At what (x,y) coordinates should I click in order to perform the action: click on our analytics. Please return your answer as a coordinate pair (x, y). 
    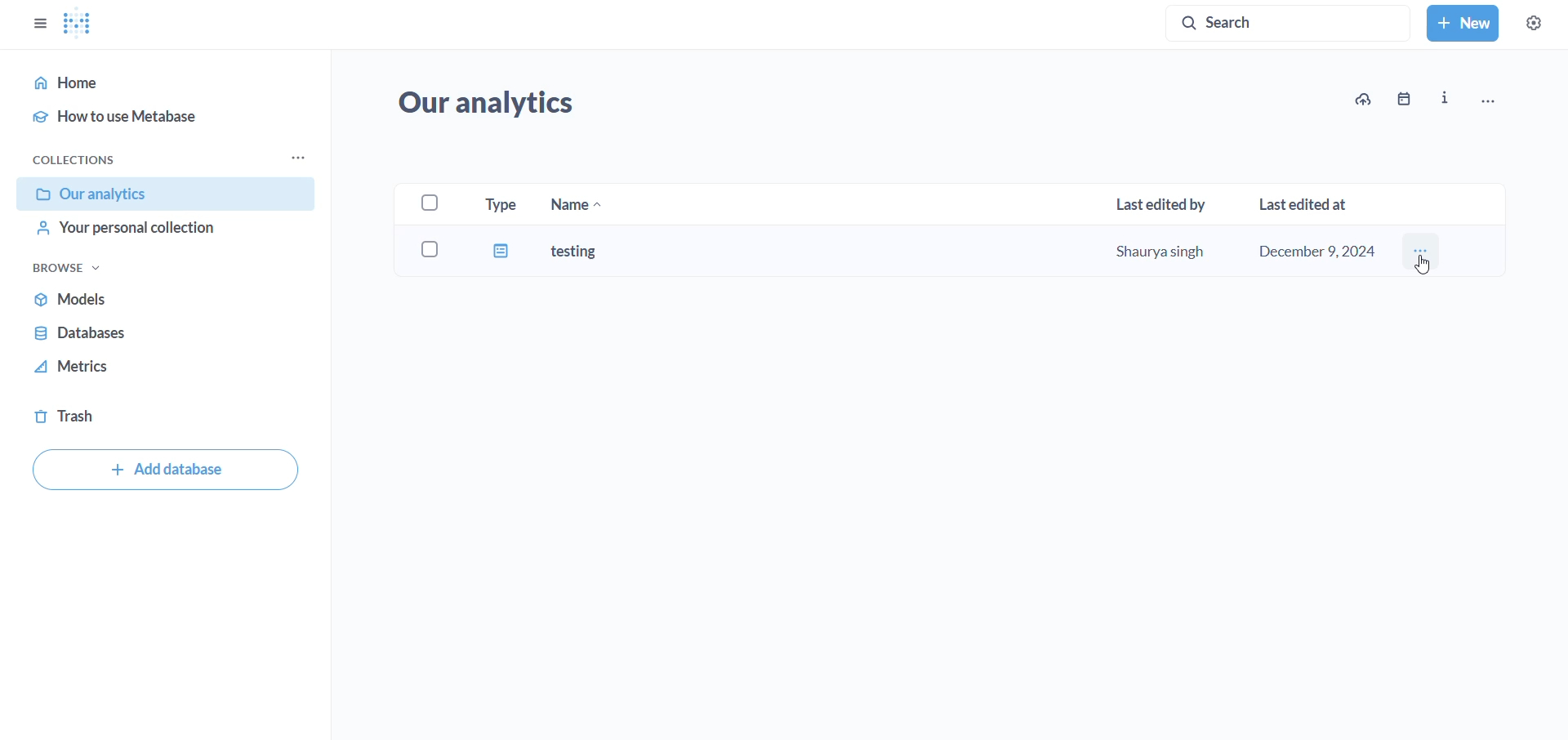
    Looking at the image, I should click on (168, 195).